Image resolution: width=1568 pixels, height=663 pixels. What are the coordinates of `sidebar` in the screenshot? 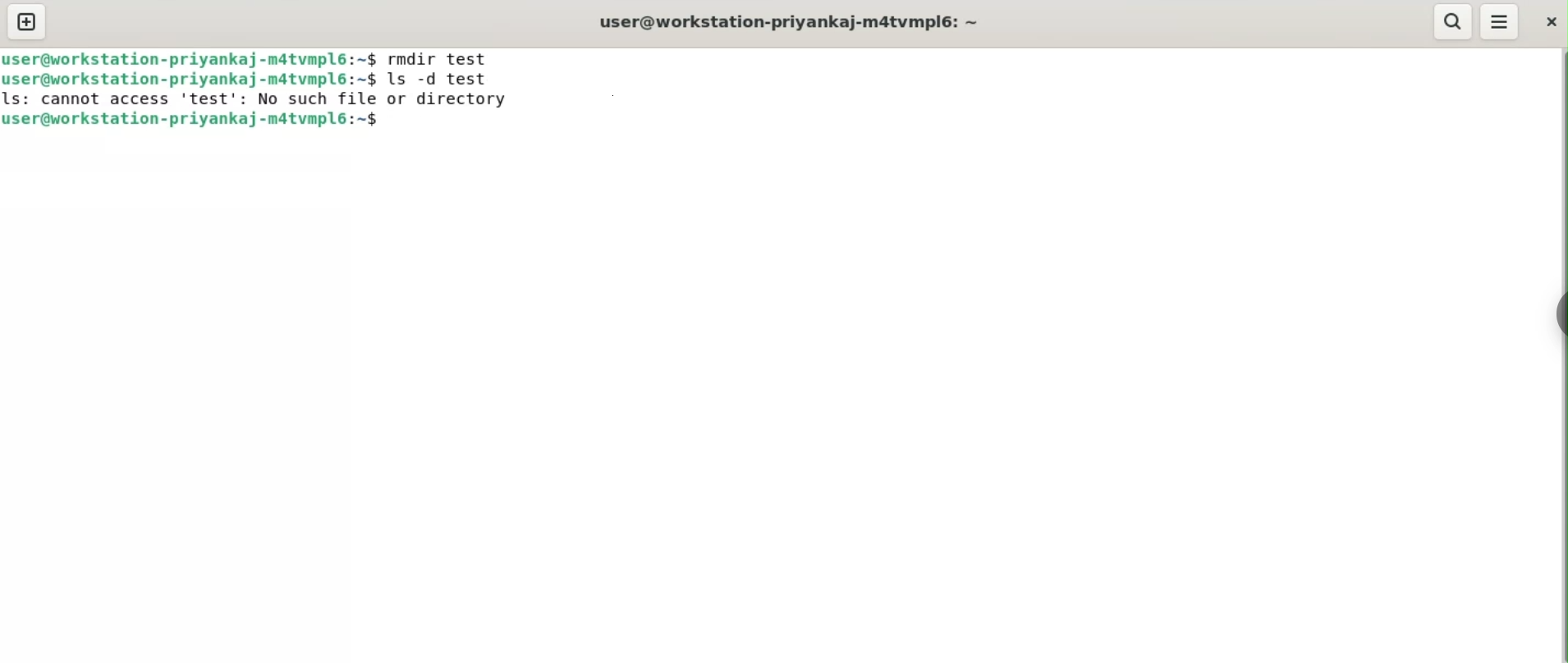 It's located at (1558, 318).